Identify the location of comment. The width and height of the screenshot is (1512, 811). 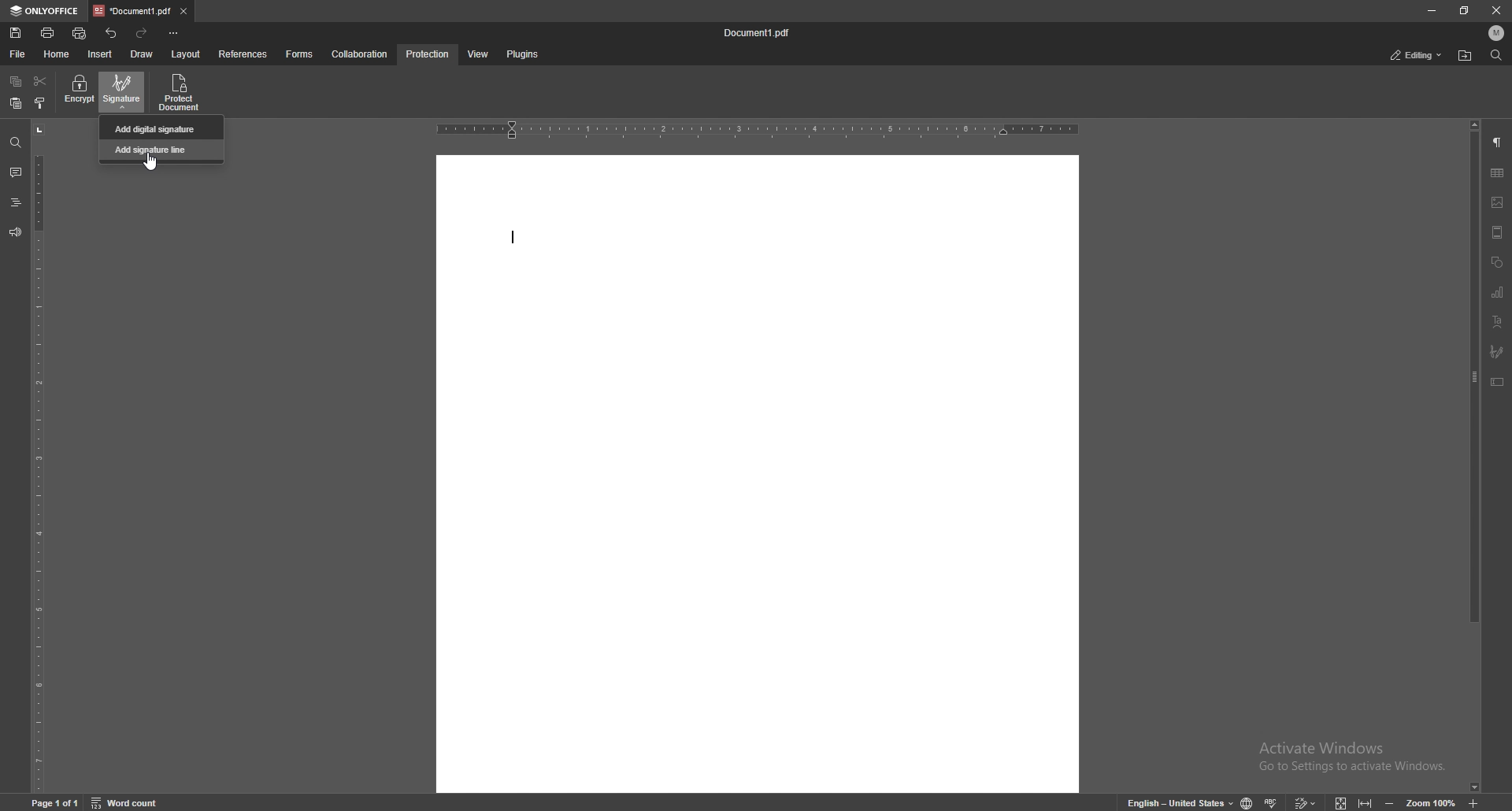
(13, 172).